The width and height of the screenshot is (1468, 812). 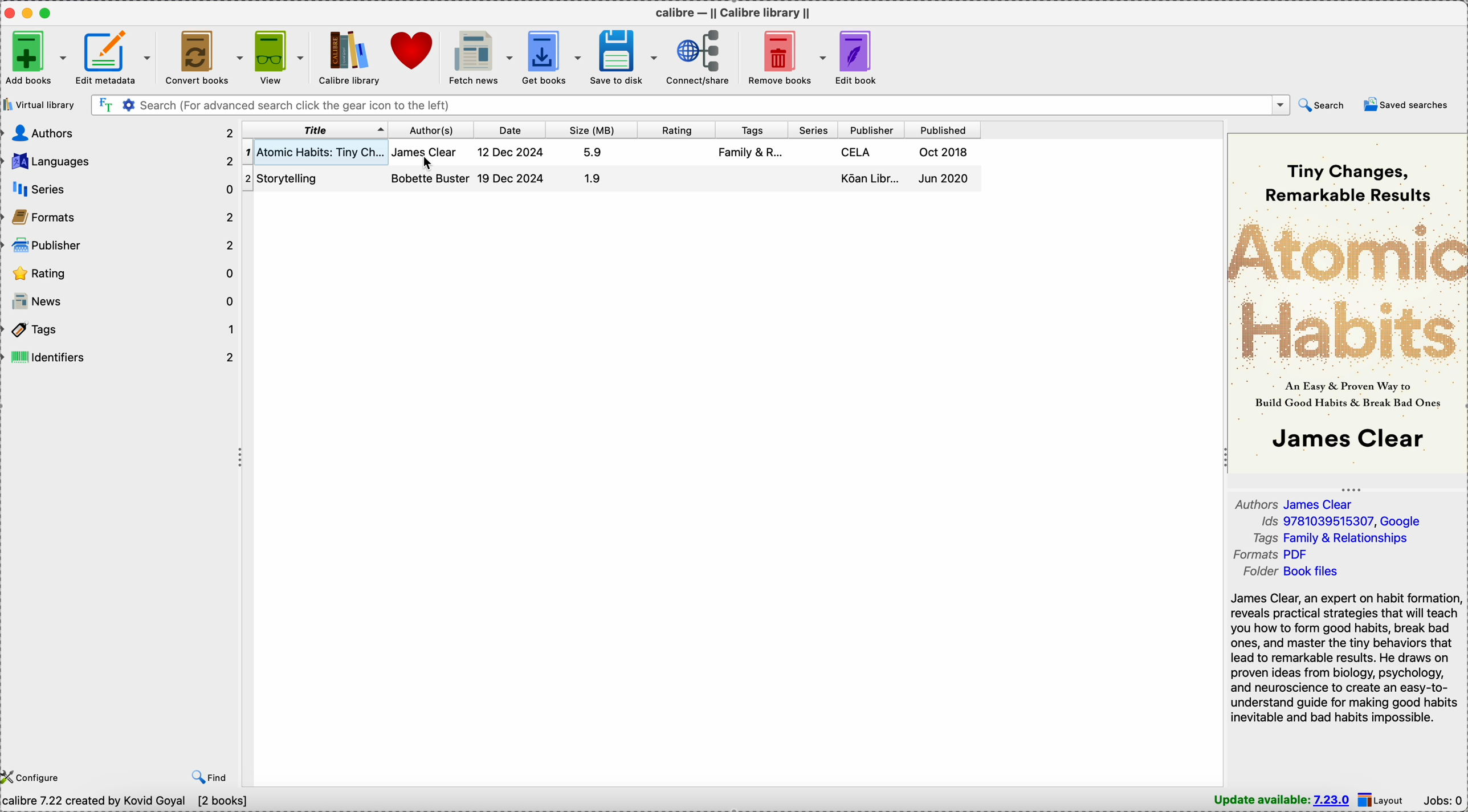 I want to click on date, so click(x=511, y=130).